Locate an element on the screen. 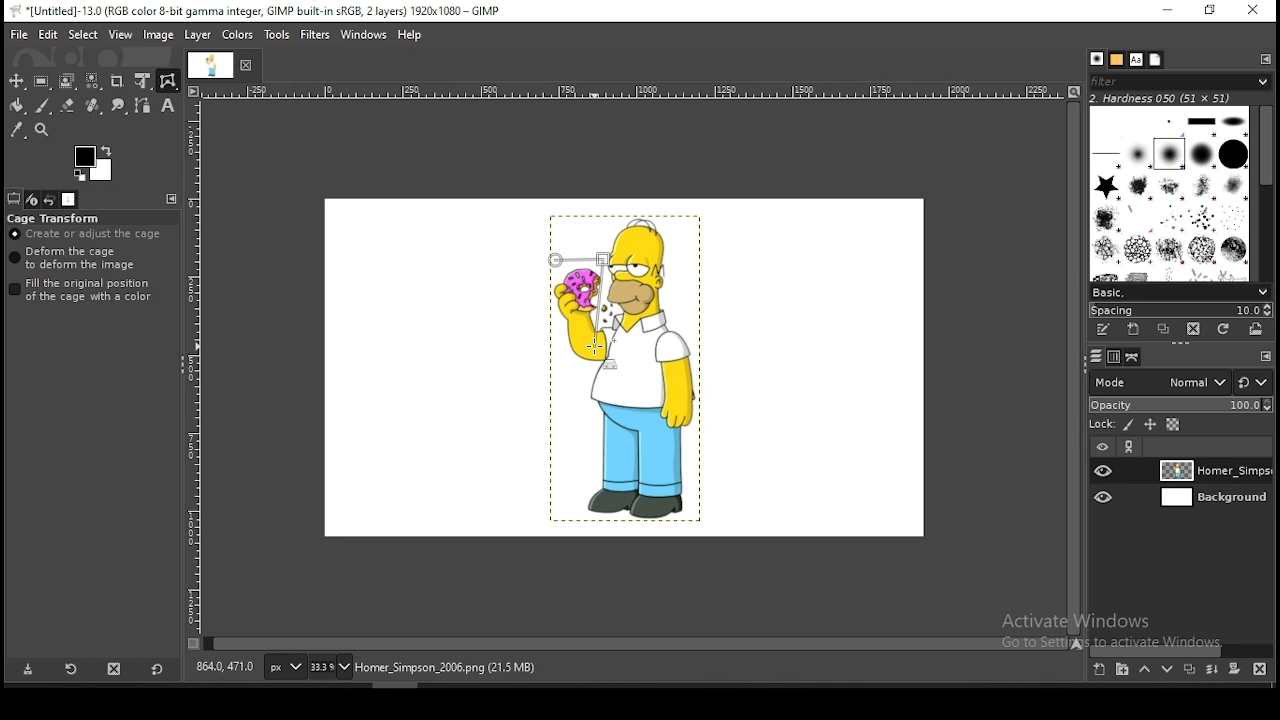 The height and width of the screenshot is (720, 1280). deform the cage to deform the image is located at coordinates (76, 259).